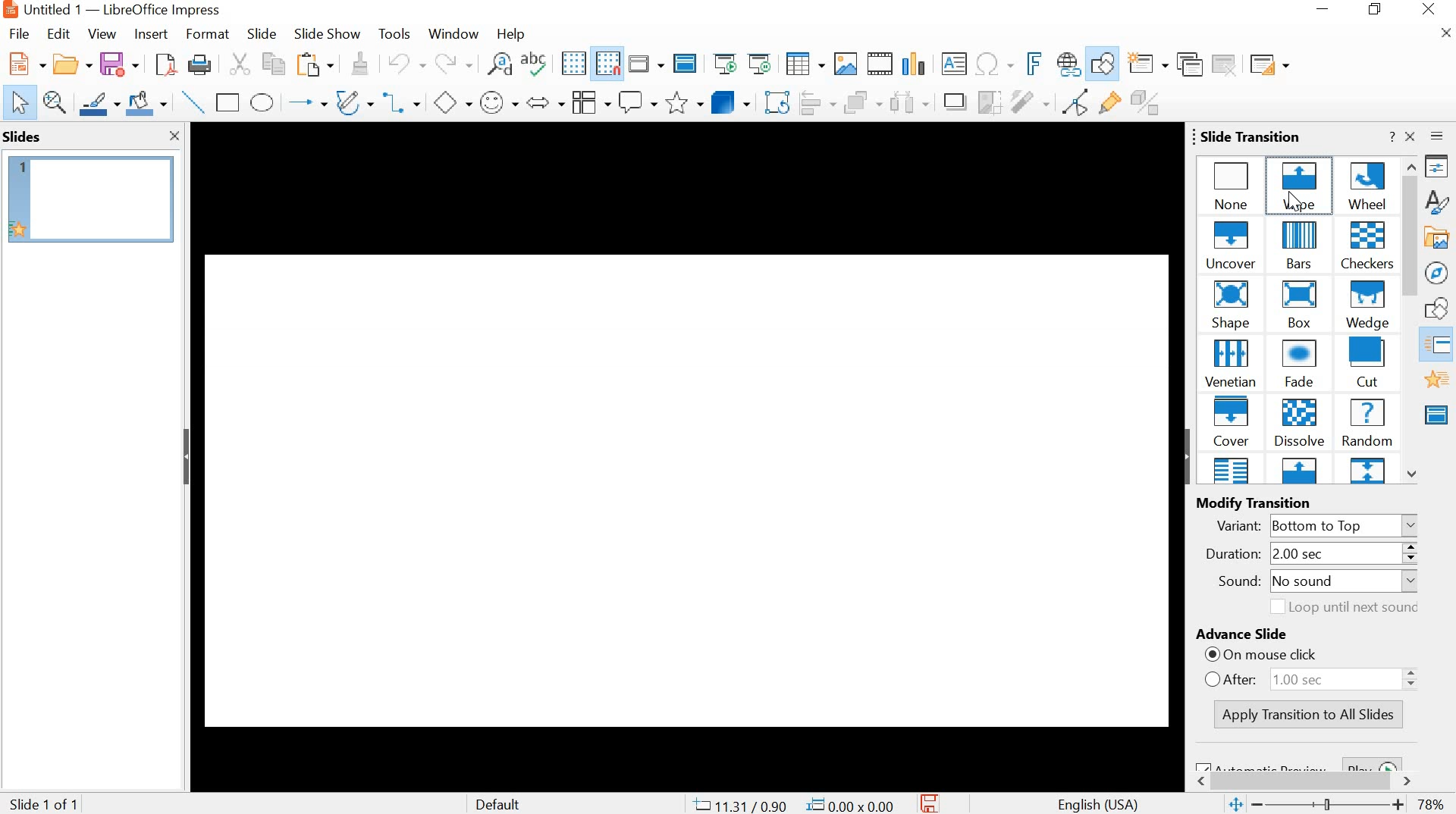 The height and width of the screenshot is (814, 1456). What do you see at coordinates (1438, 136) in the screenshot?
I see `SIDEBAR SETTINGS` at bounding box center [1438, 136].